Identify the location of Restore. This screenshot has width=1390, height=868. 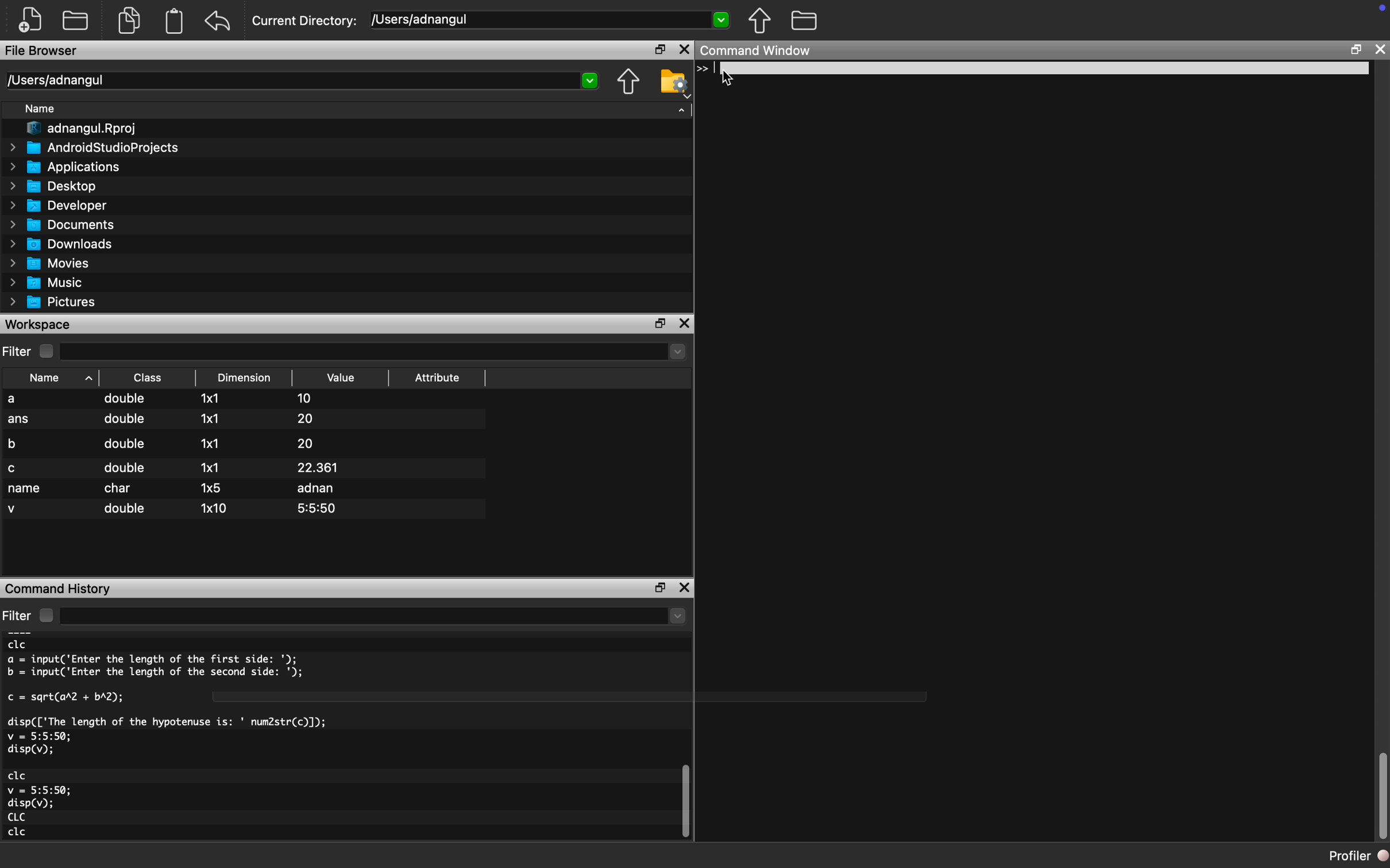
(658, 323).